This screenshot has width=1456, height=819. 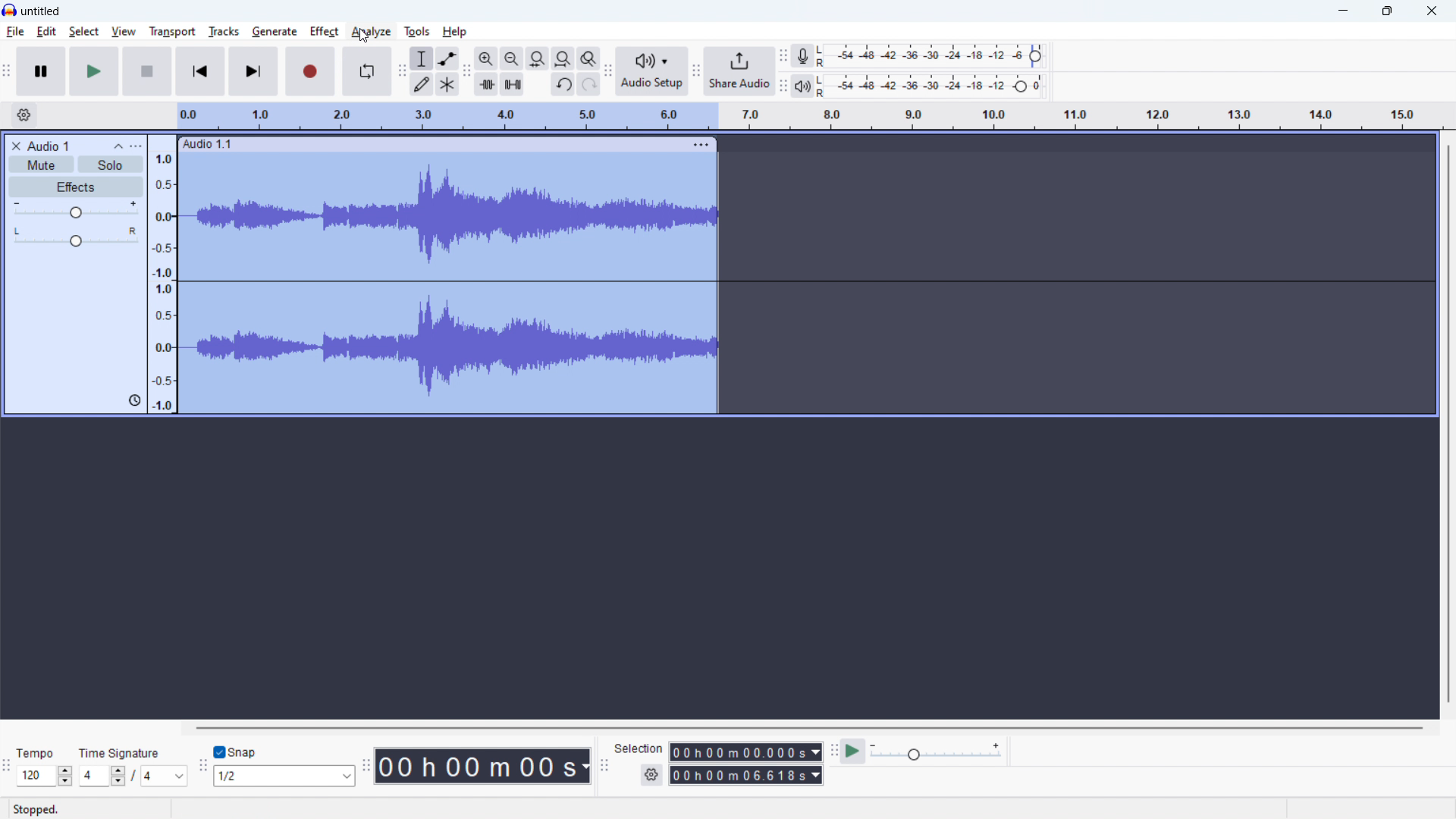 I want to click on play at speed , so click(x=852, y=752).